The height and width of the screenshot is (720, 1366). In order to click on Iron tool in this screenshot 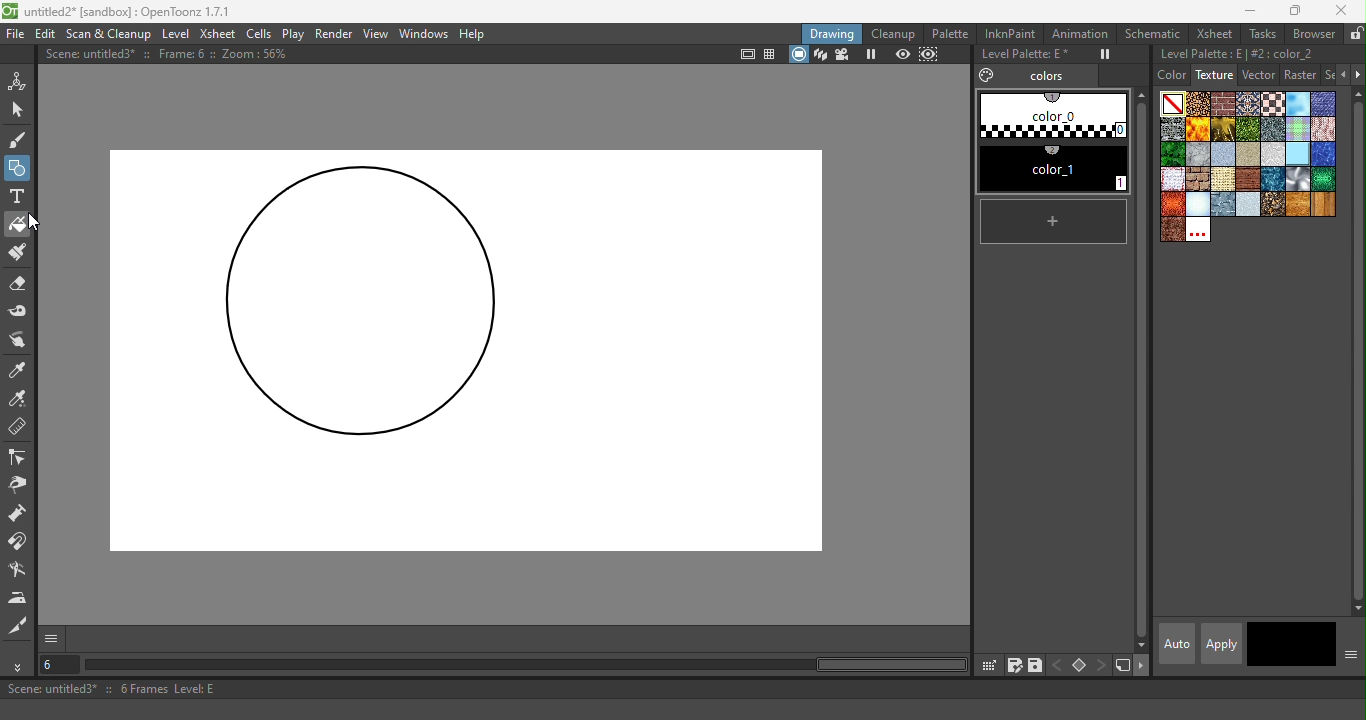, I will do `click(20, 598)`.